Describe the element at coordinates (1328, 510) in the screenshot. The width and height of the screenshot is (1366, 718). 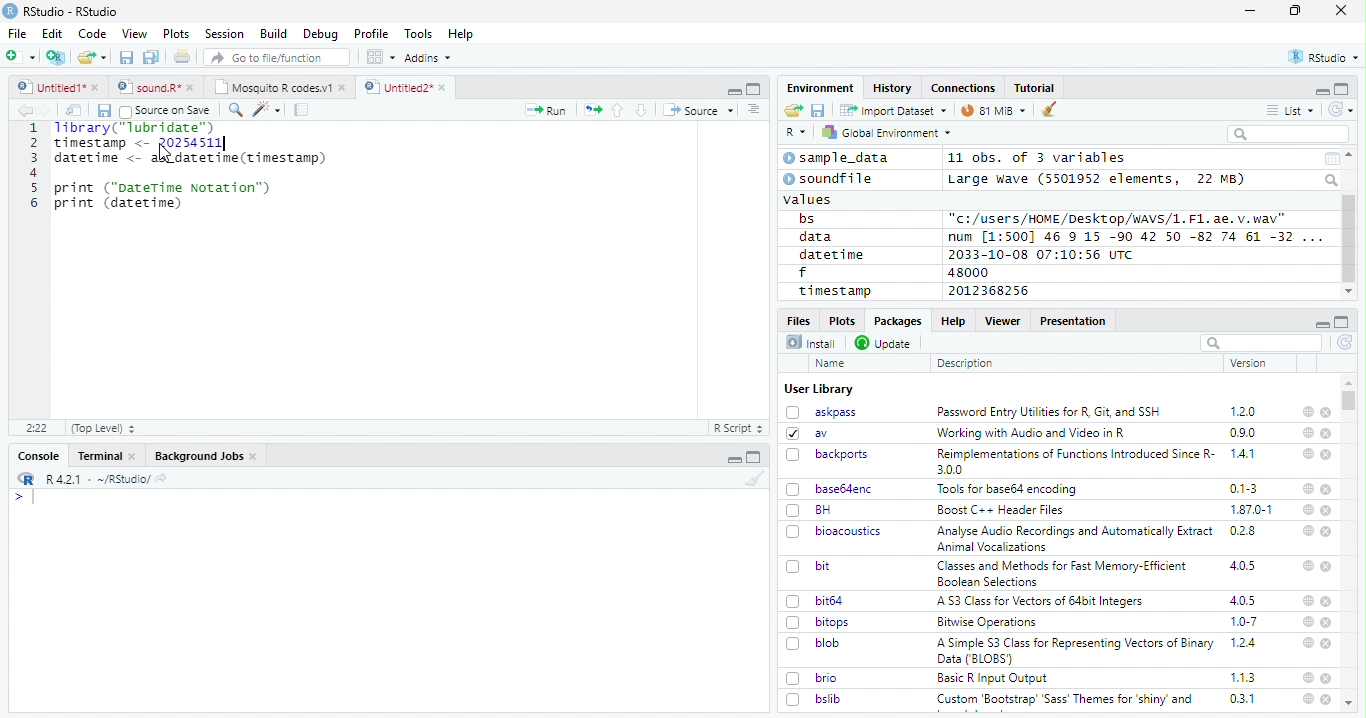
I see `close` at that location.